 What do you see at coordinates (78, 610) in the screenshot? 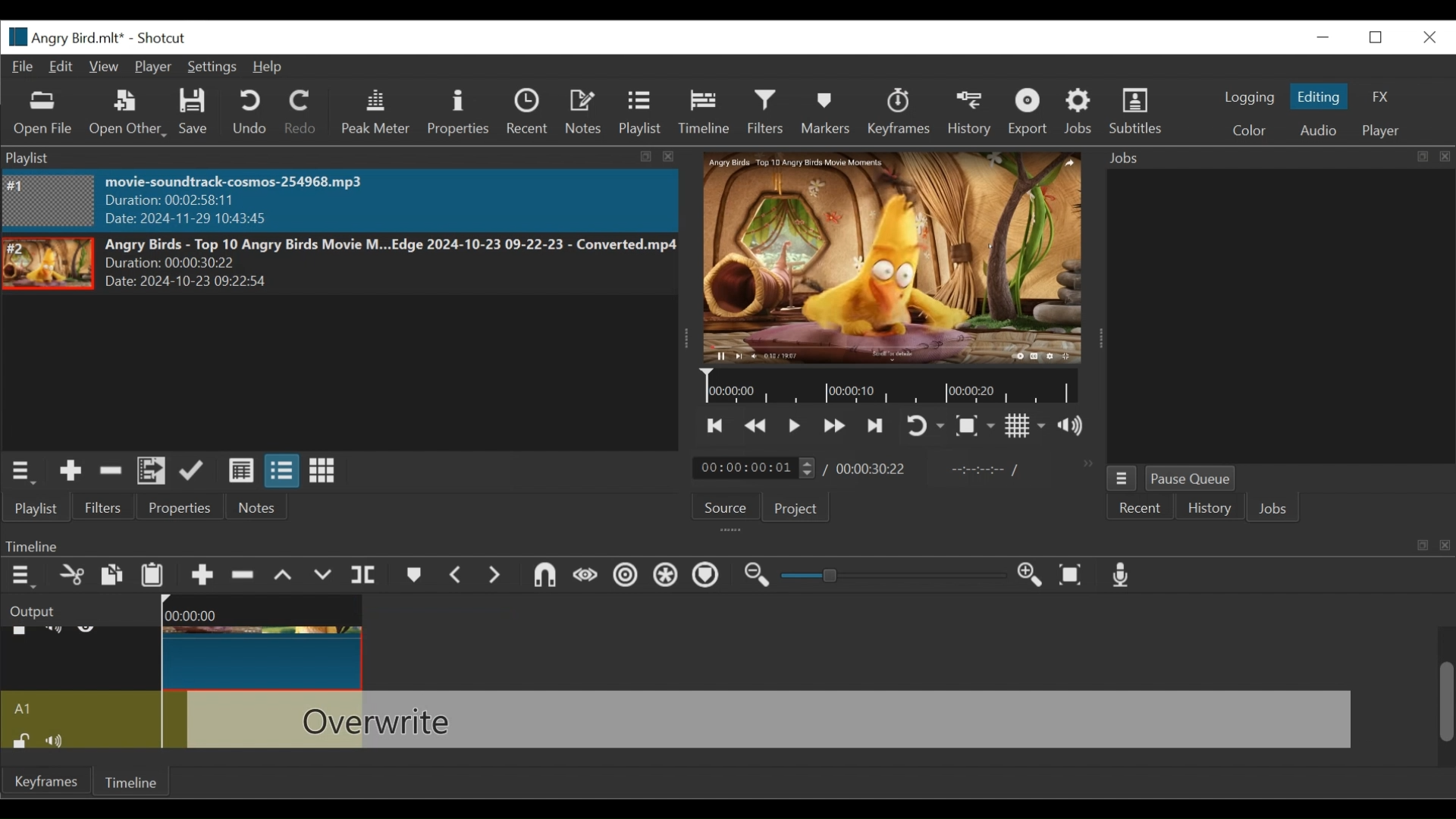
I see `Output` at bounding box center [78, 610].